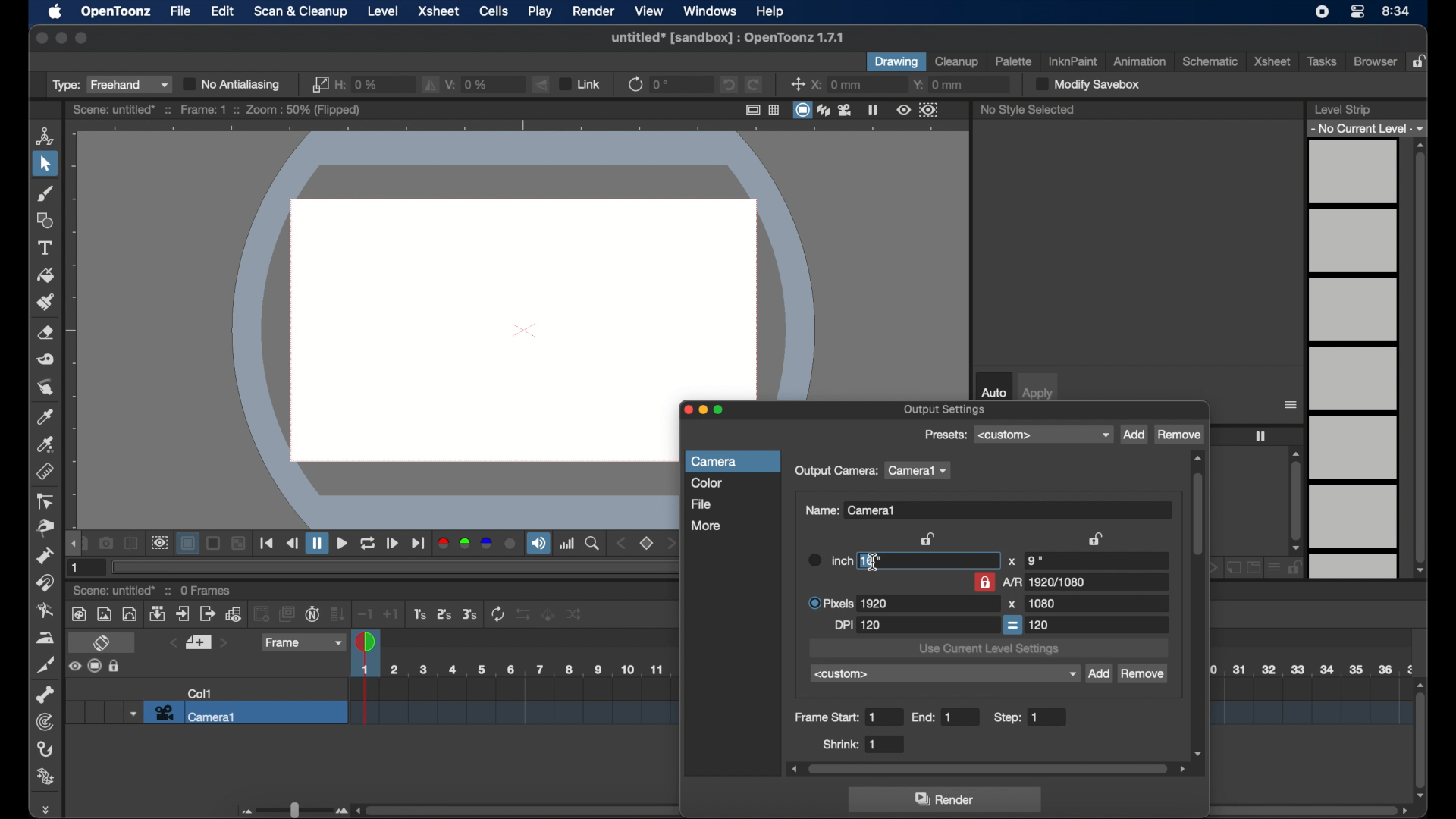  What do you see at coordinates (40, 38) in the screenshot?
I see `close` at bounding box center [40, 38].